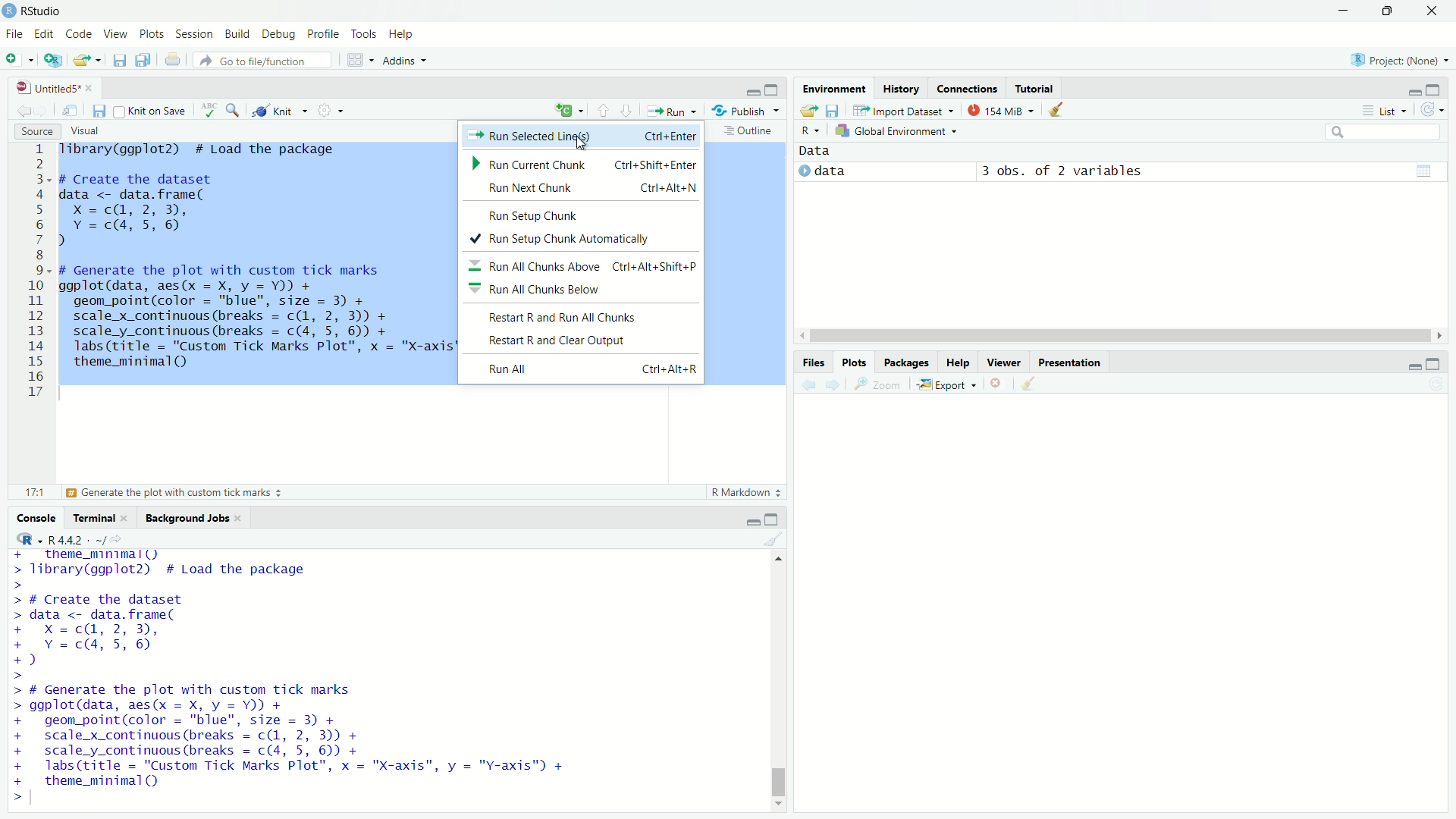 This screenshot has height=819, width=1456. What do you see at coordinates (168, 60) in the screenshot?
I see `print the current file` at bounding box center [168, 60].